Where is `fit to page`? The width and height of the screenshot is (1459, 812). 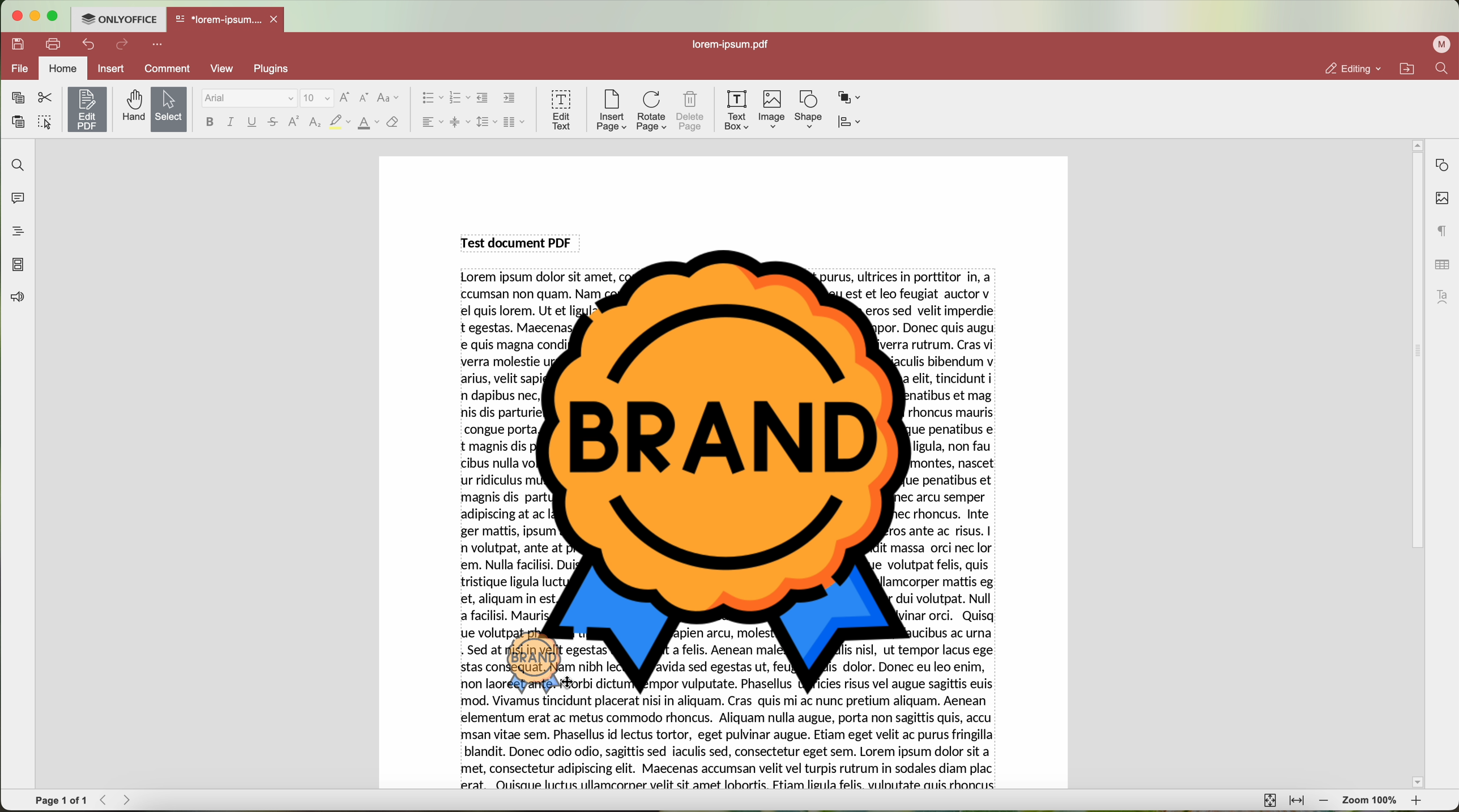
fit to page is located at coordinates (1268, 800).